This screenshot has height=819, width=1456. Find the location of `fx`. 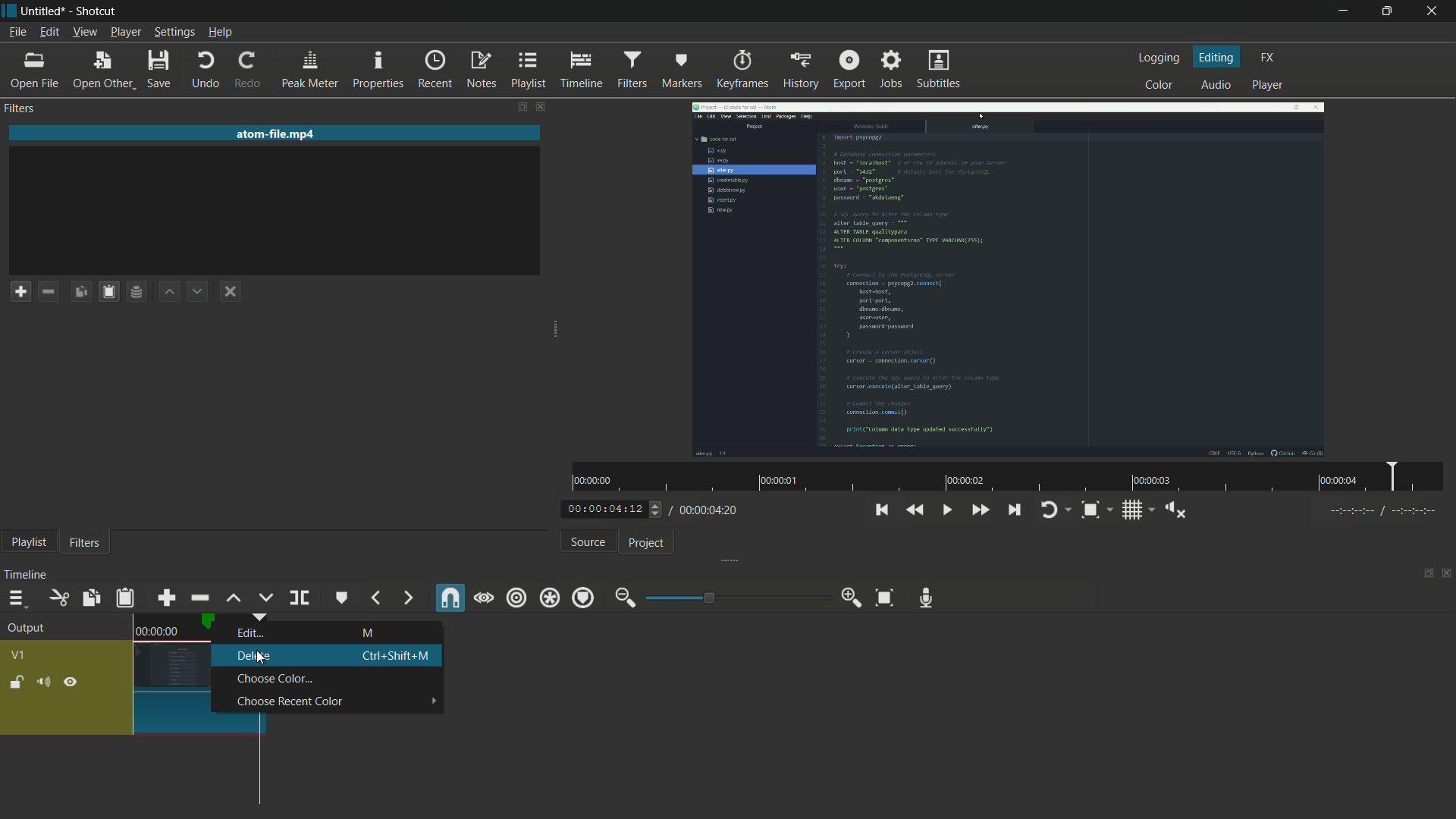

fx is located at coordinates (1266, 58).